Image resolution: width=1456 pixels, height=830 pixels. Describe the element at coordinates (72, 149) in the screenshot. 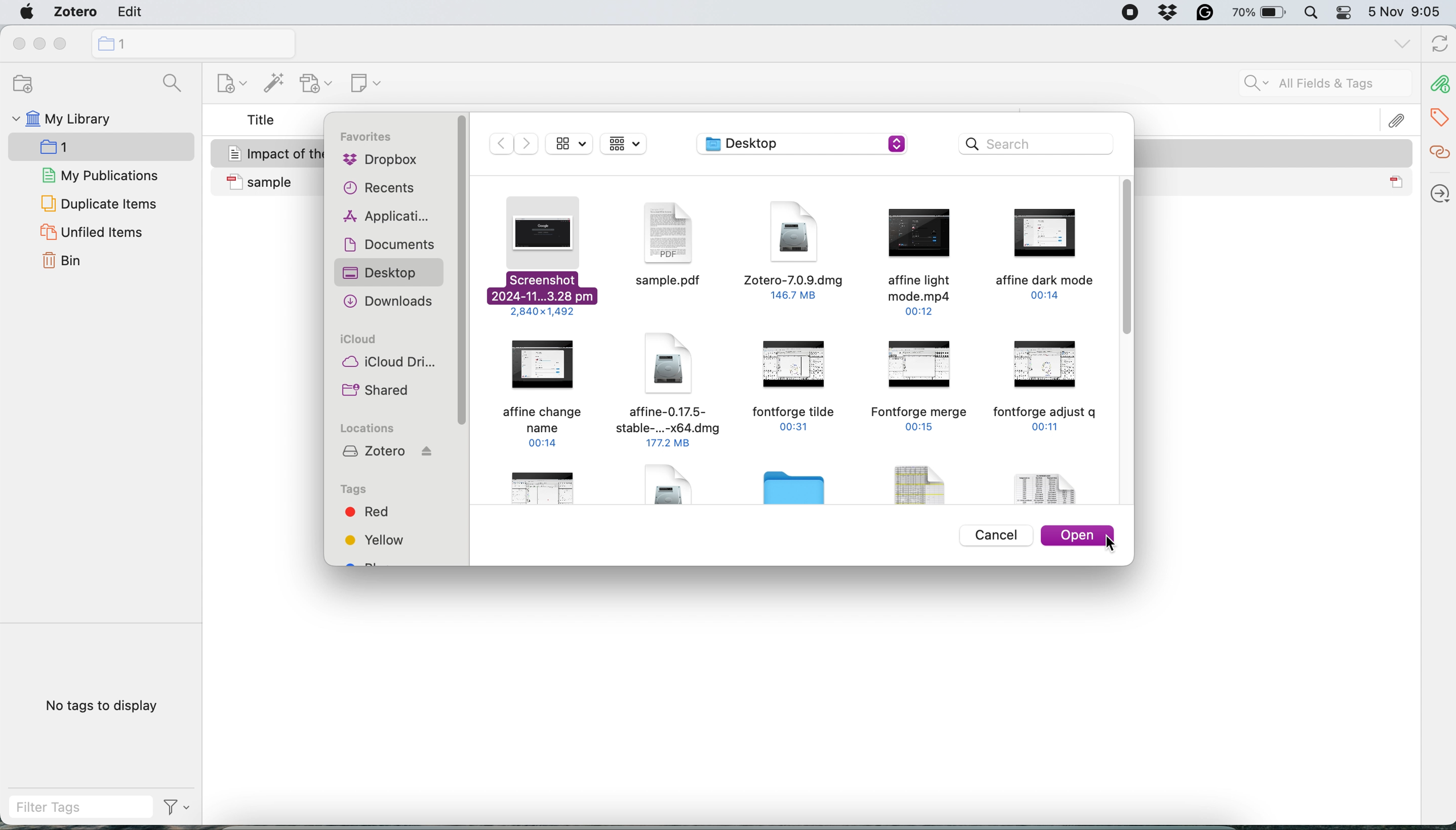

I see `1` at that location.